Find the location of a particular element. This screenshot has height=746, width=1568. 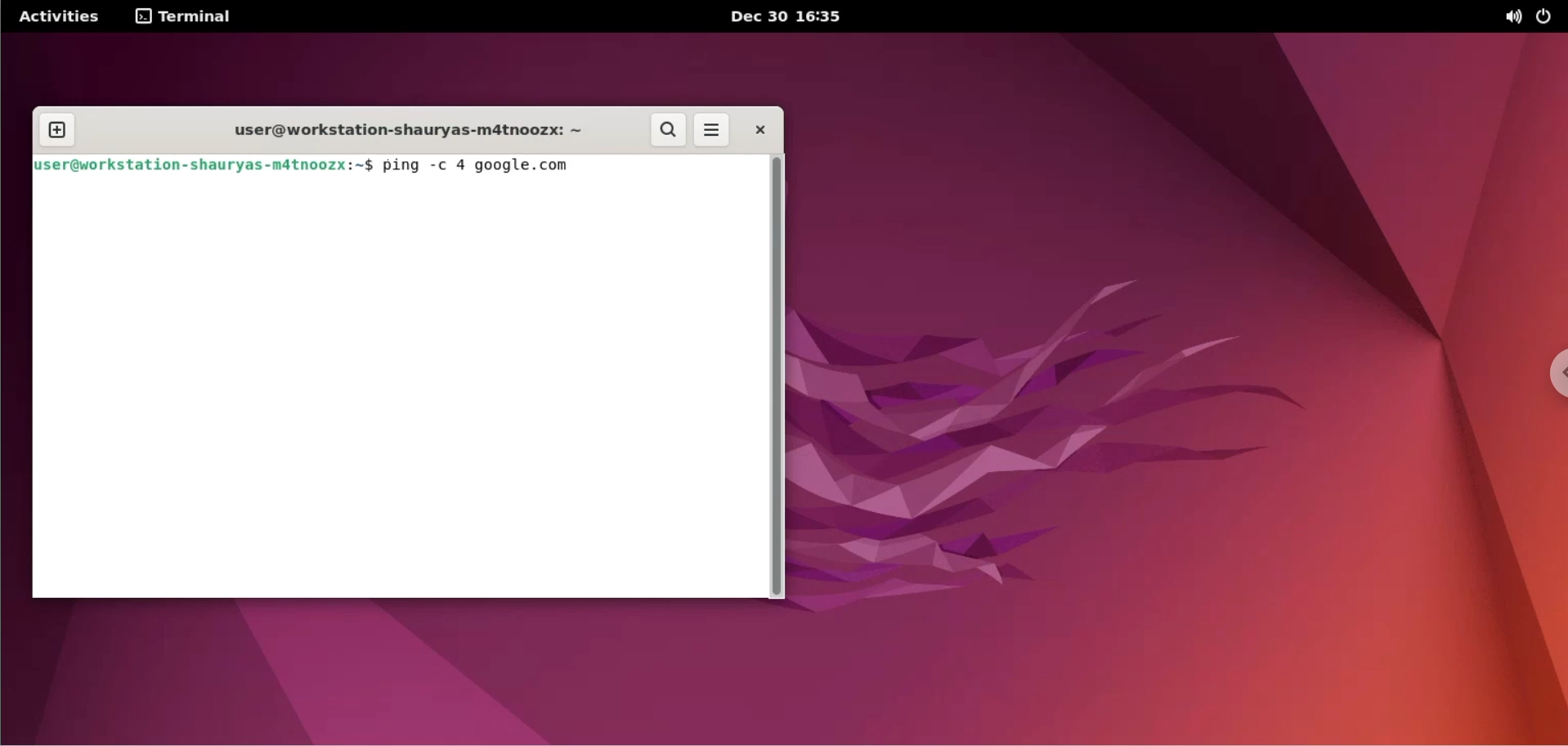

scrollbar is located at coordinates (781, 377).